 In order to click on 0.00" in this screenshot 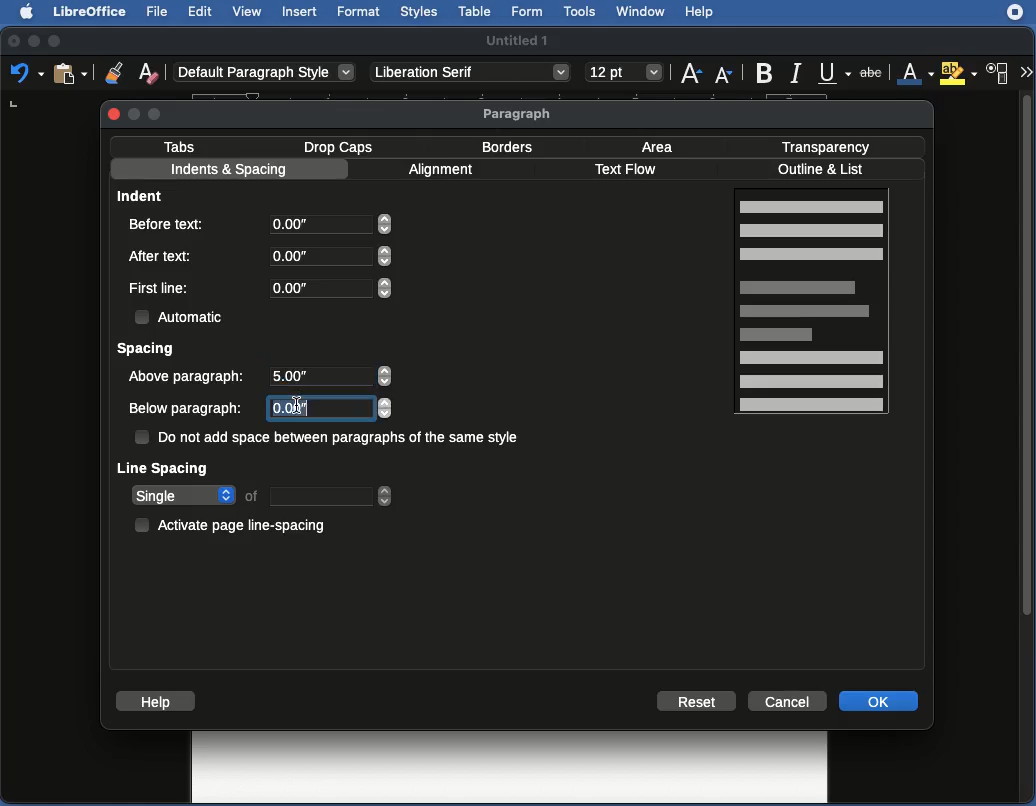, I will do `click(328, 256)`.